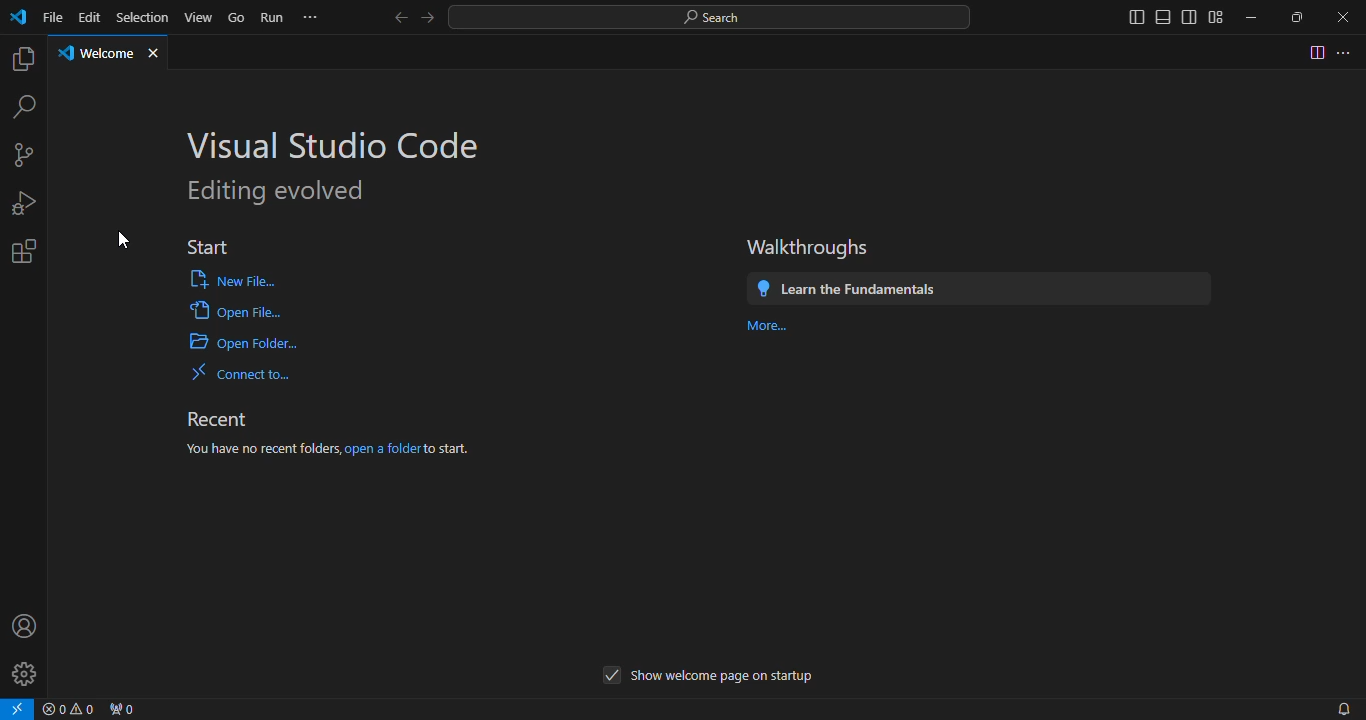 This screenshot has width=1366, height=720. What do you see at coordinates (701, 676) in the screenshot?
I see `show welcome page on startup` at bounding box center [701, 676].